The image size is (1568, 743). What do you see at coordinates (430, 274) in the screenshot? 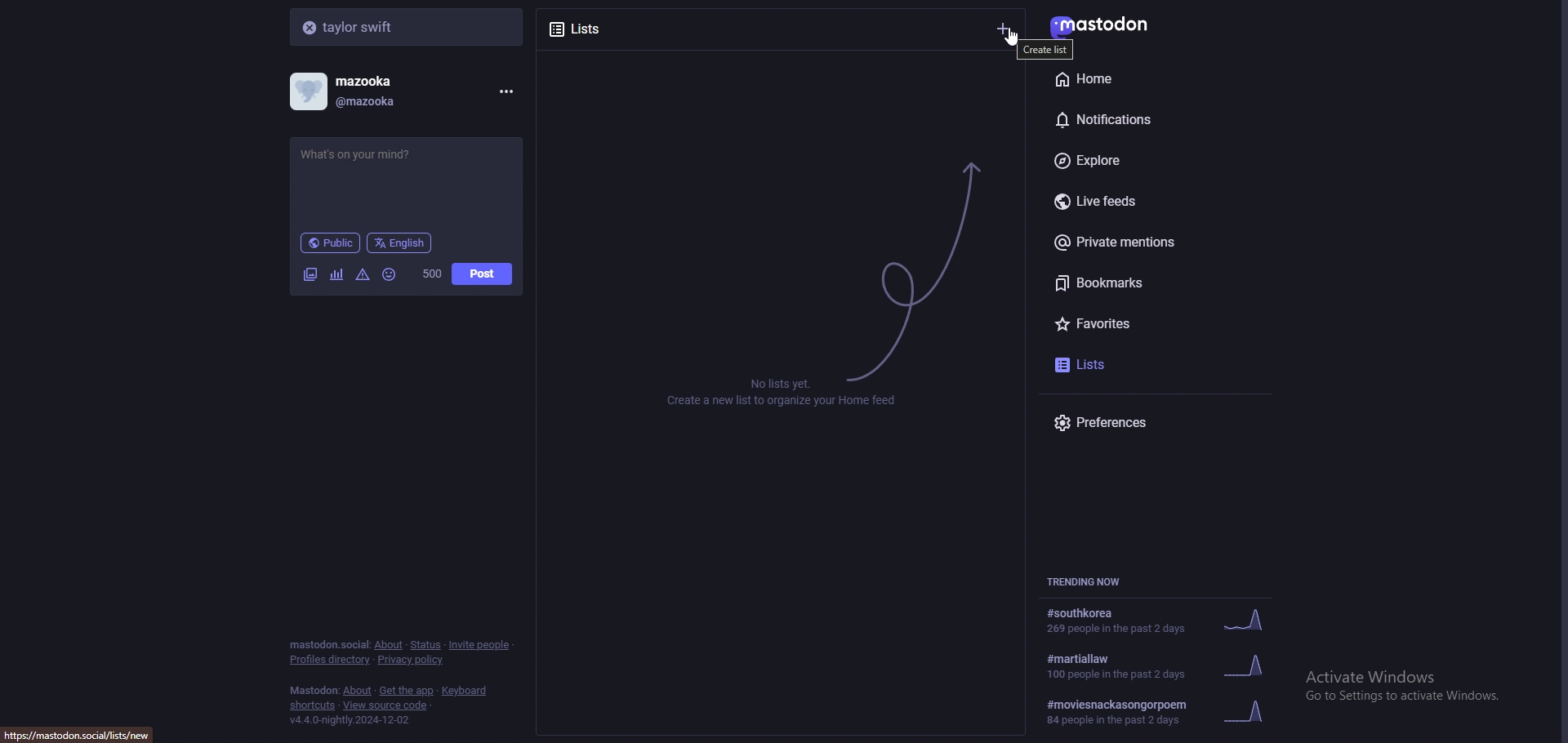
I see `word limit` at bounding box center [430, 274].